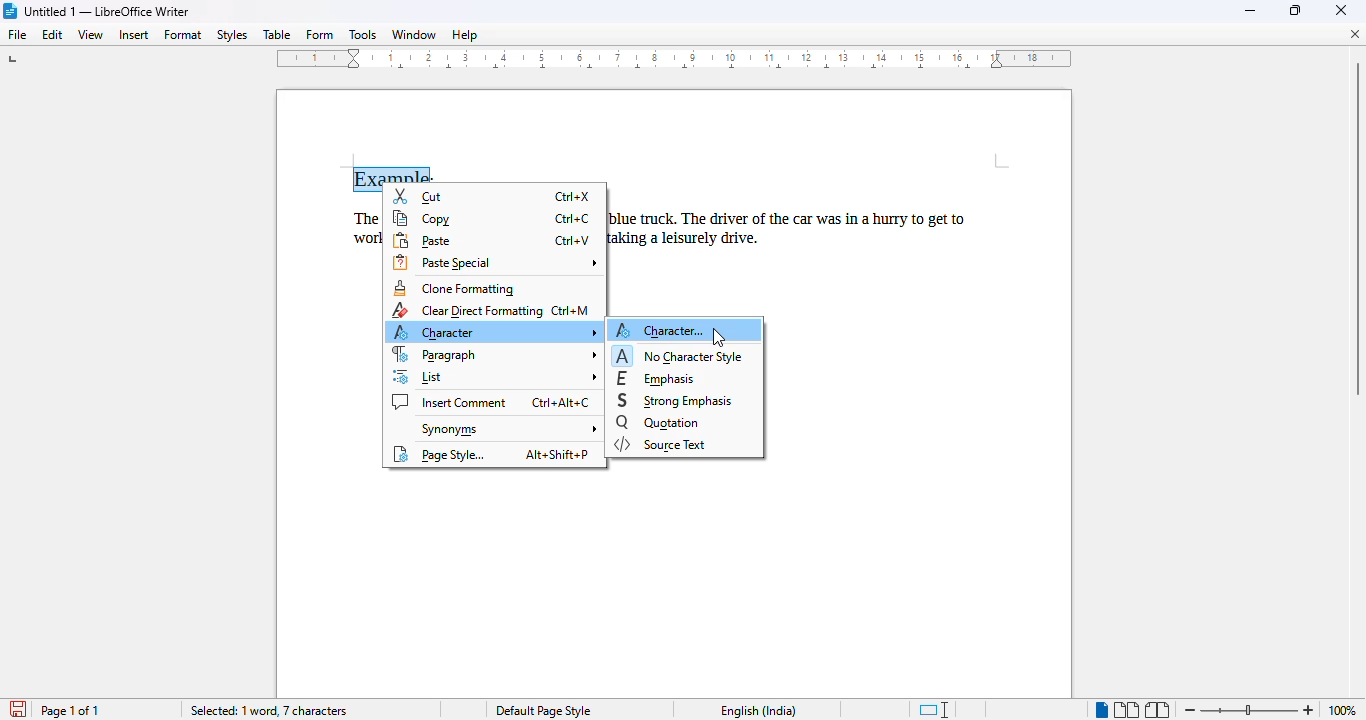 This screenshot has width=1366, height=720. What do you see at coordinates (363, 34) in the screenshot?
I see `tools` at bounding box center [363, 34].